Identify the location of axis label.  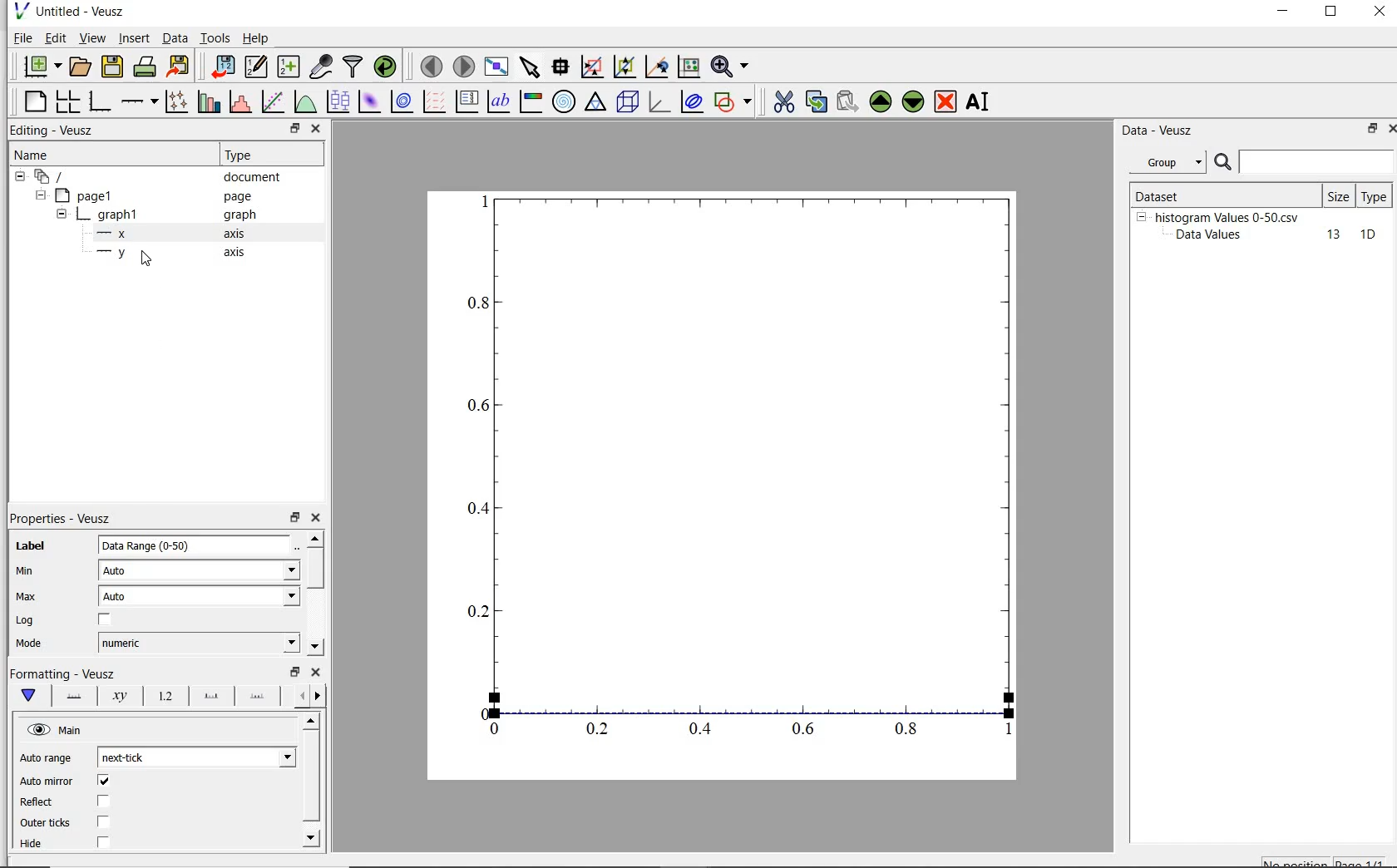
(121, 696).